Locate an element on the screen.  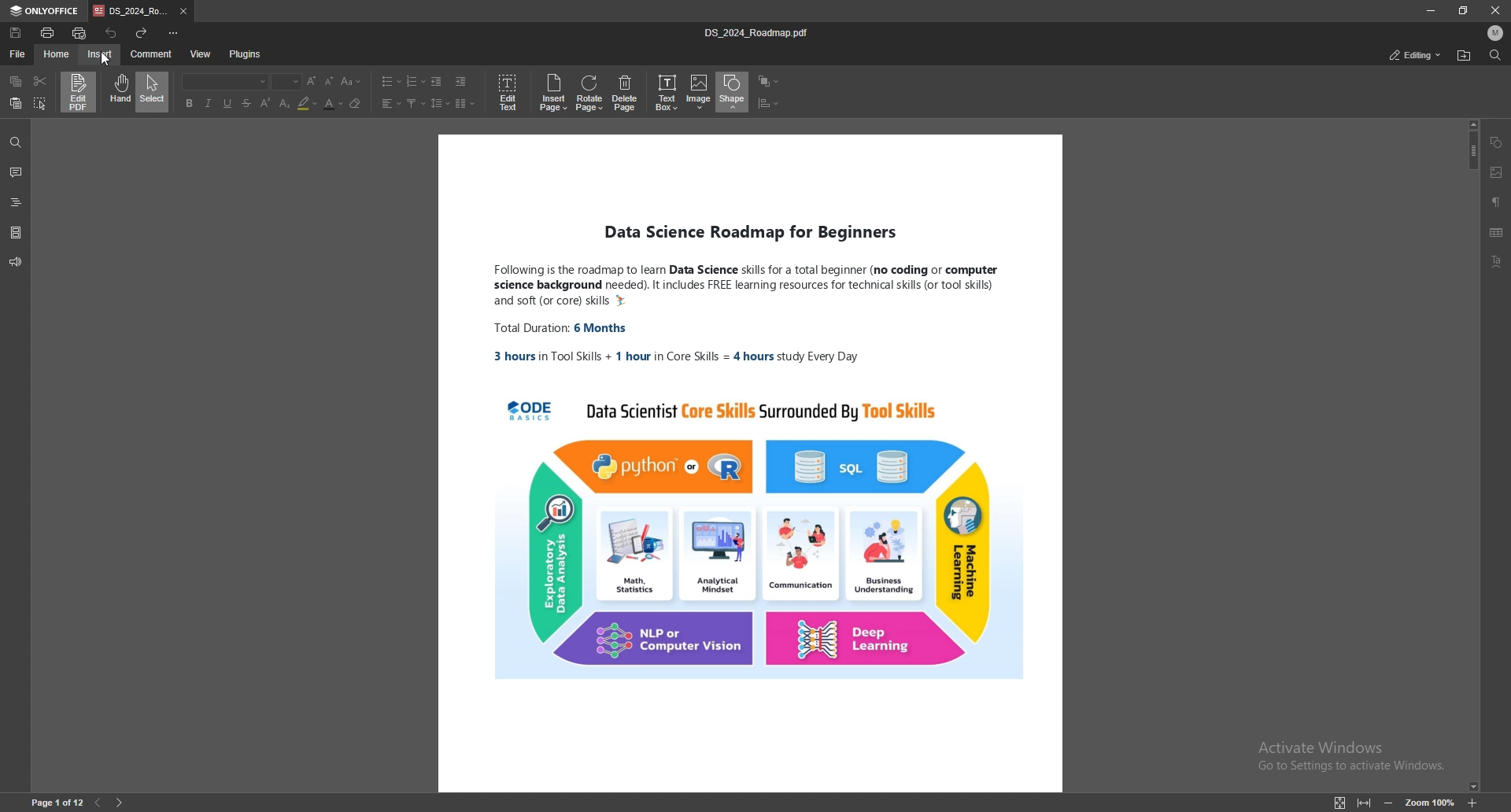
increase indent is located at coordinates (460, 81).